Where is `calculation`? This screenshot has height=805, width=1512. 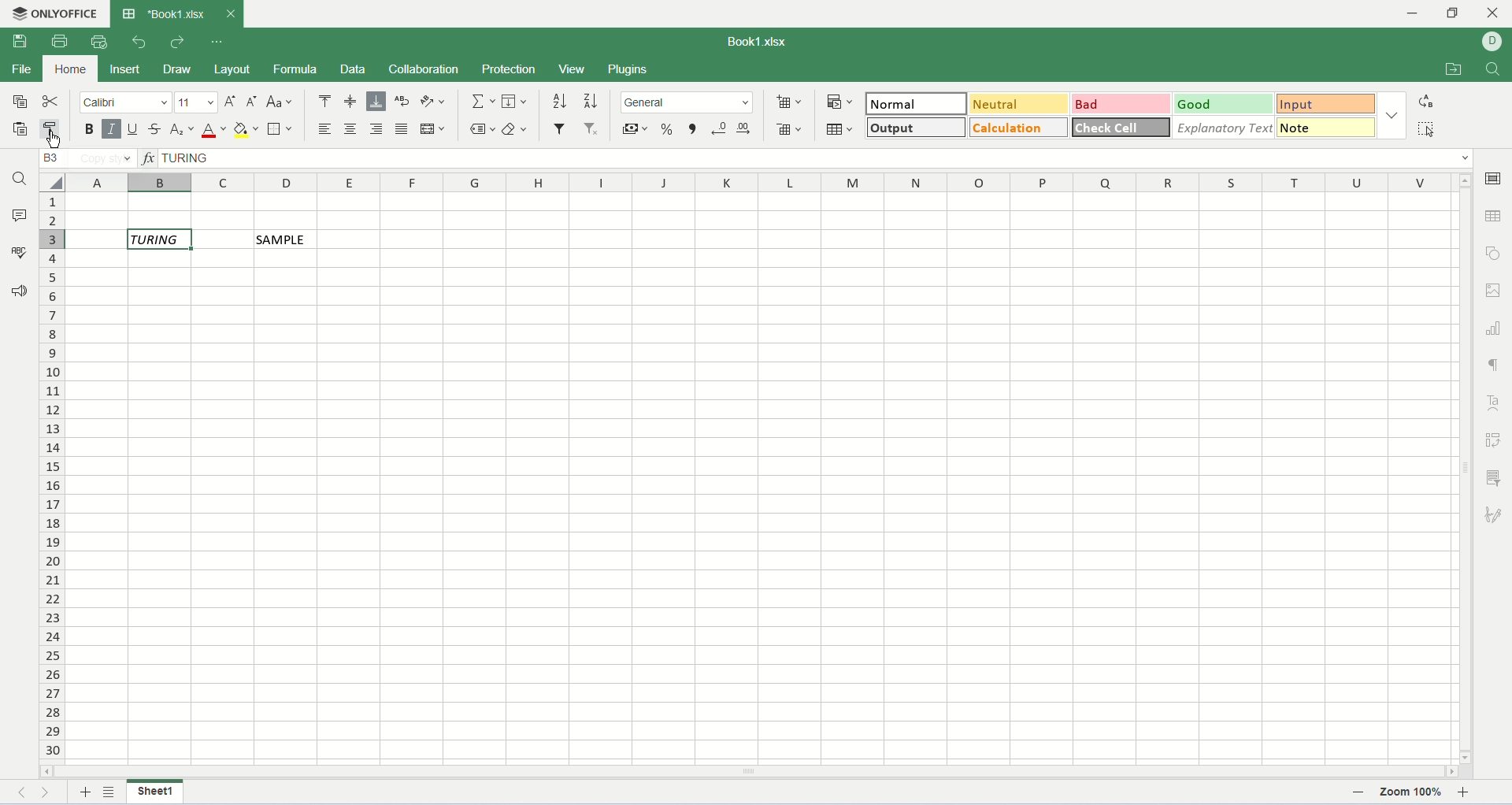 calculation is located at coordinates (1021, 127).